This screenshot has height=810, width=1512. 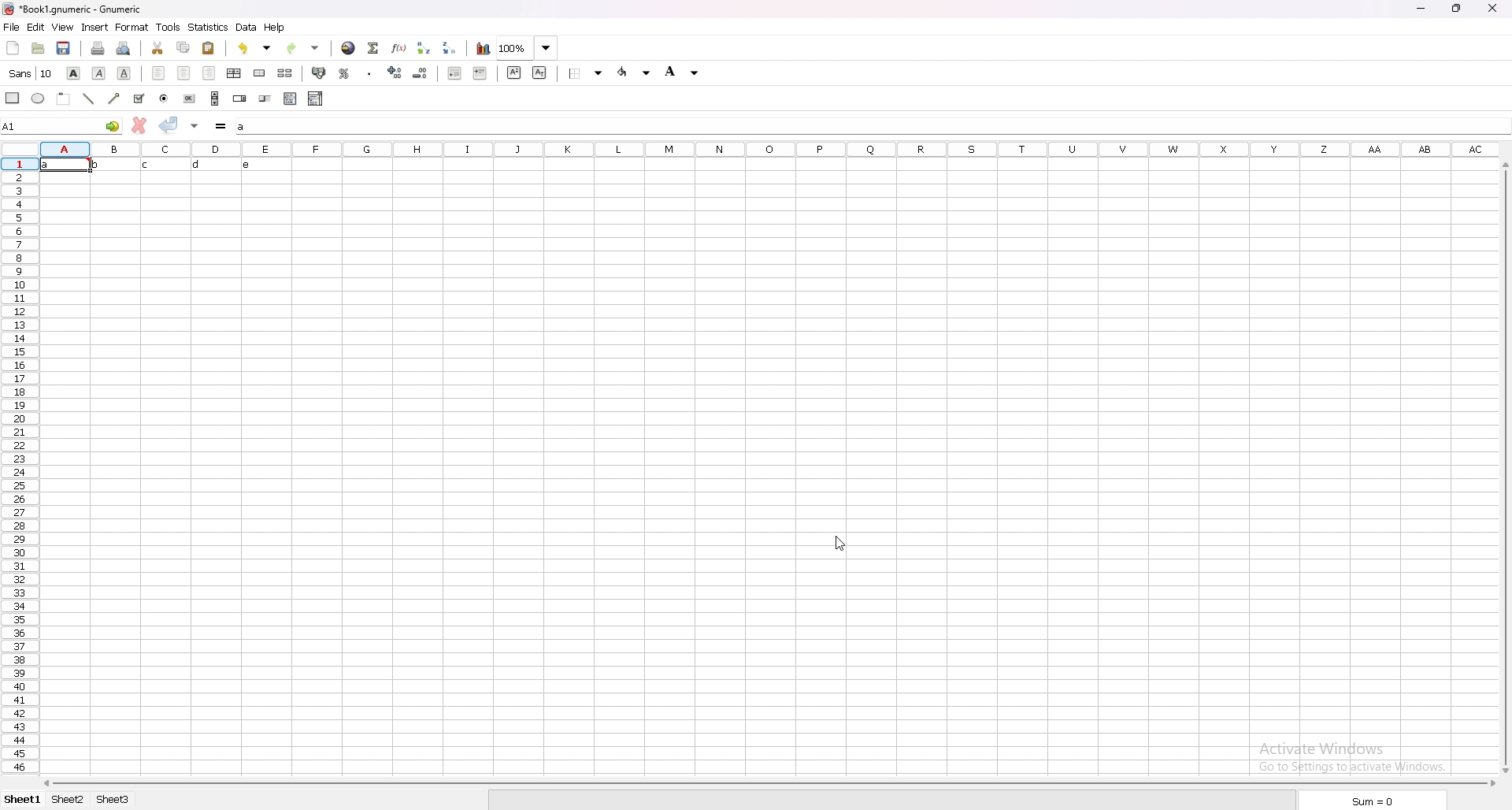 I want to click on close, so click(x=1496, y=9).